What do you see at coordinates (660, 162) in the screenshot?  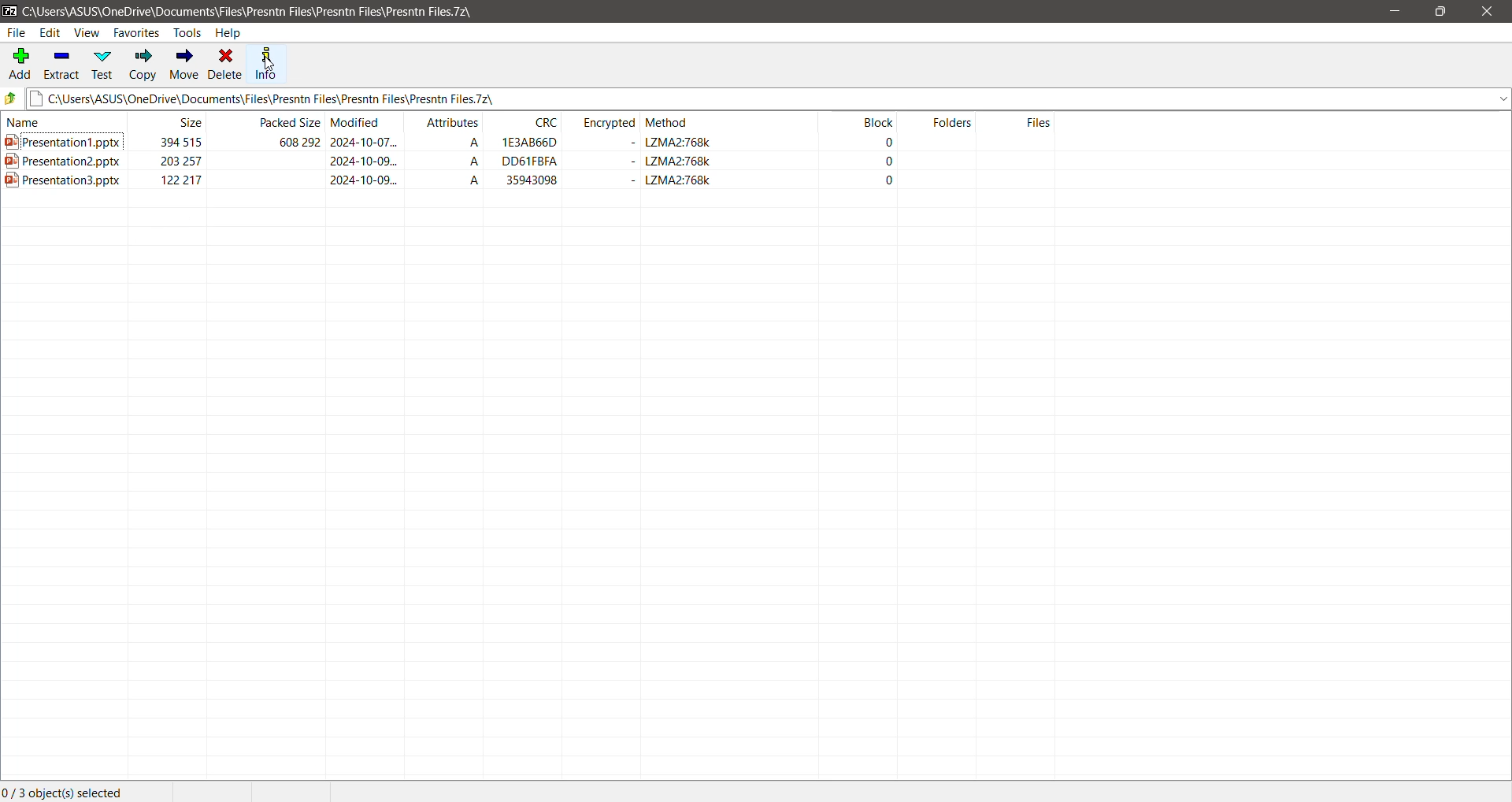 I see ` LZMA2:768k` at bounding box center [660, 162].